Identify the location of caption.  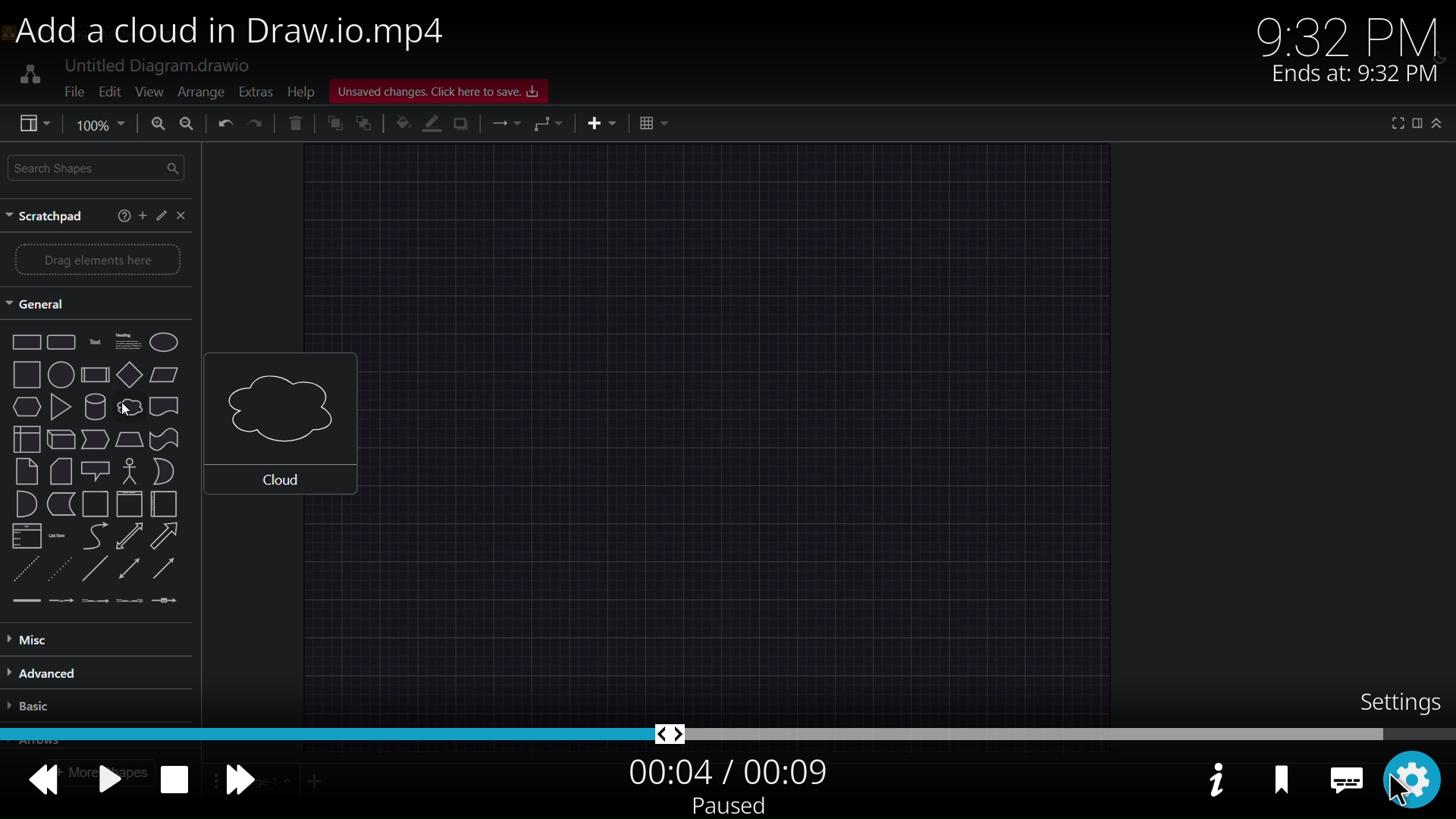
(1338, 780).